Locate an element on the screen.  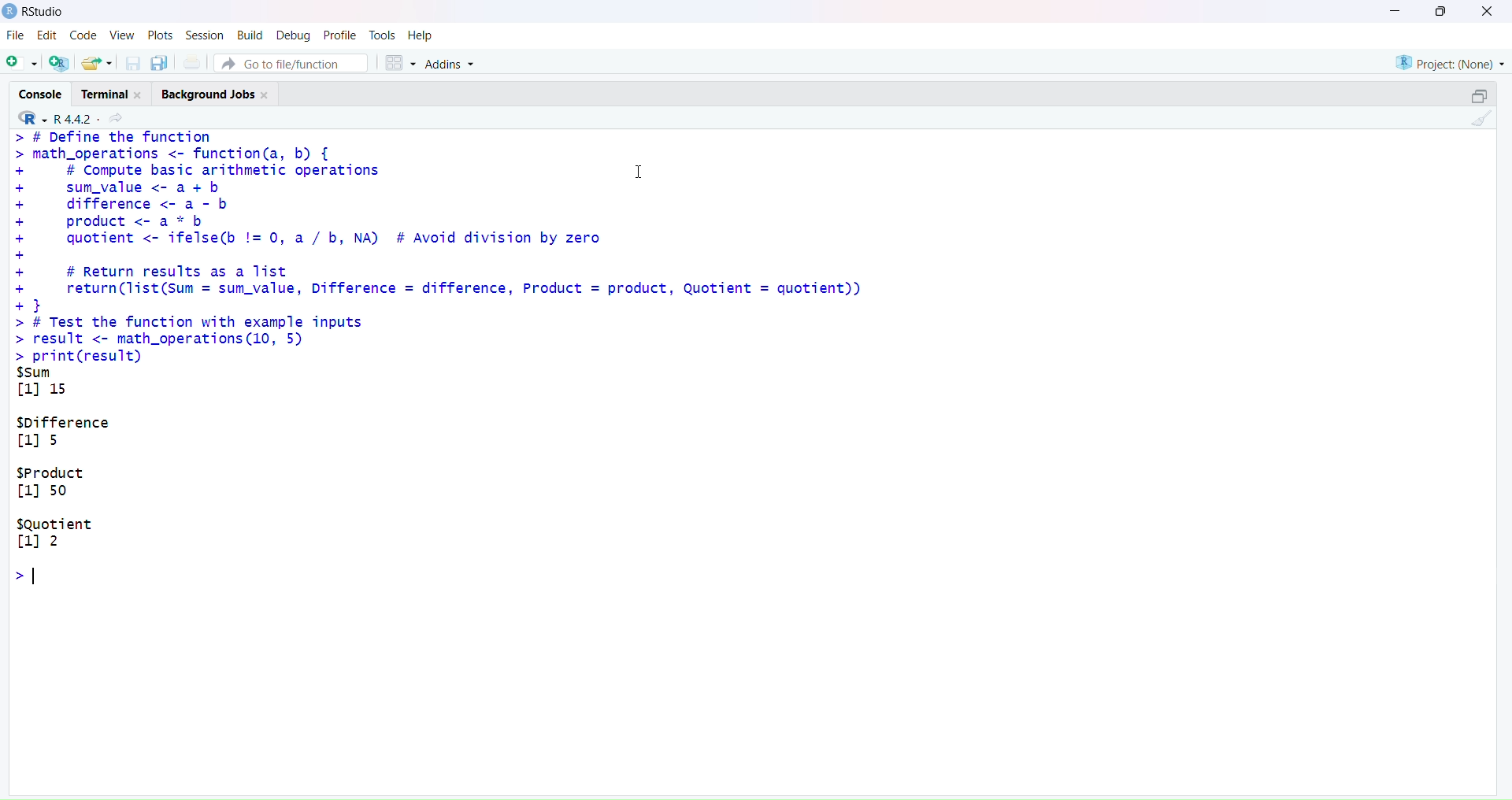
Background Jobs is located at coordinates (216, 94).